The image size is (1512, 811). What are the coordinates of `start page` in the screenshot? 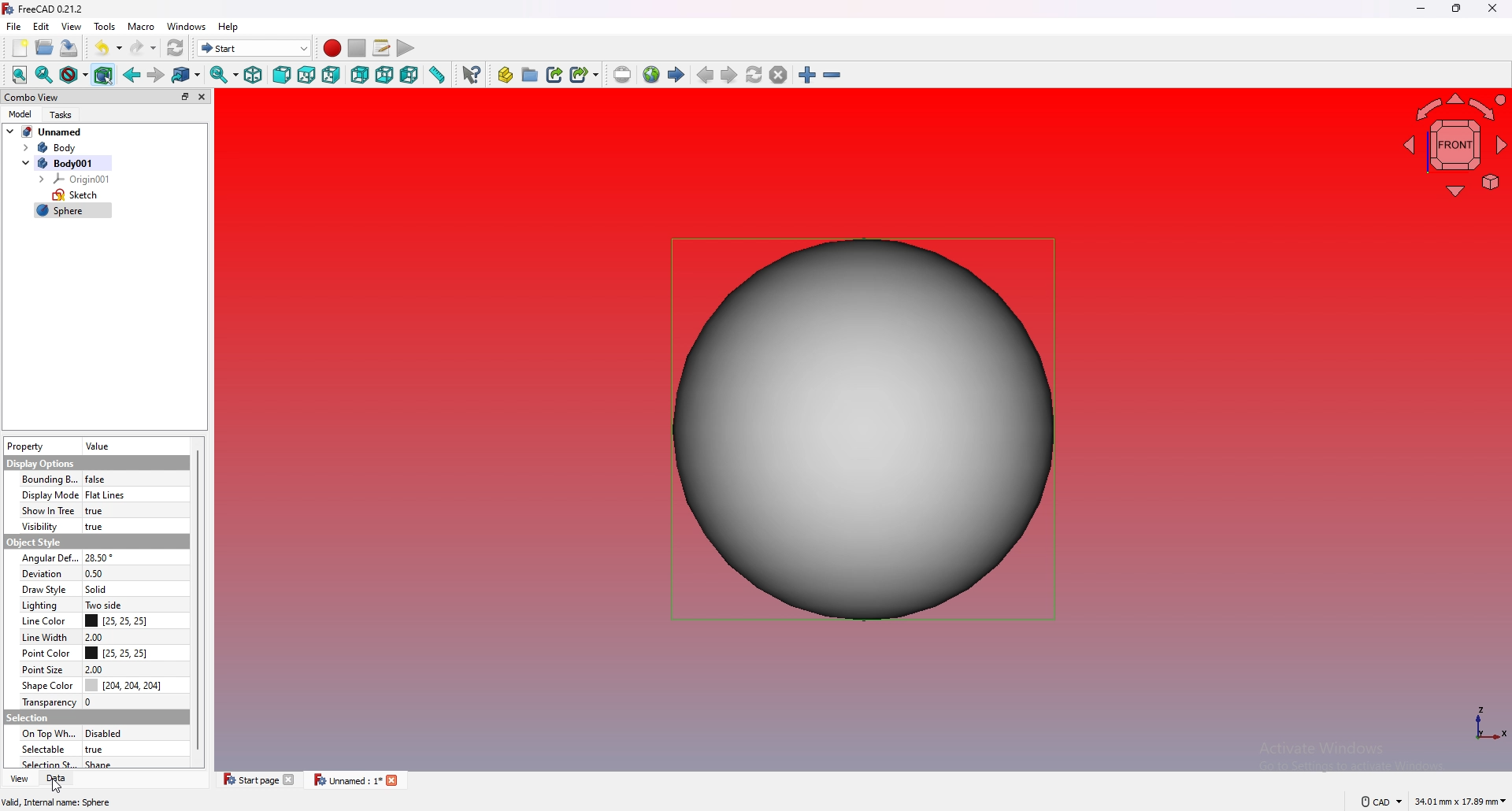 It's located at (676, 75).